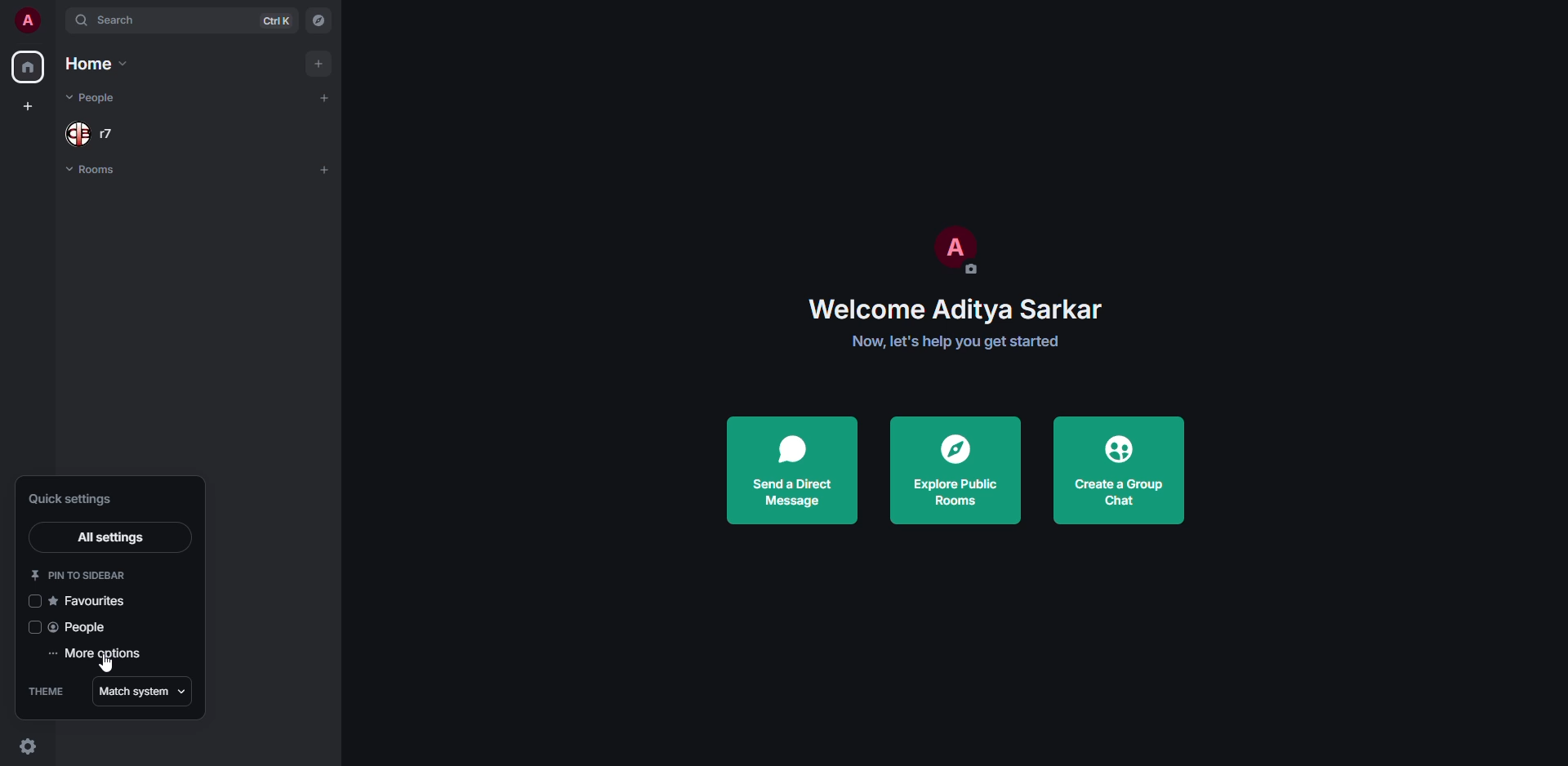  What do you see at coordinates (29, 108) in the screenshot?
I see `create space` at bounding box center [29, 108].